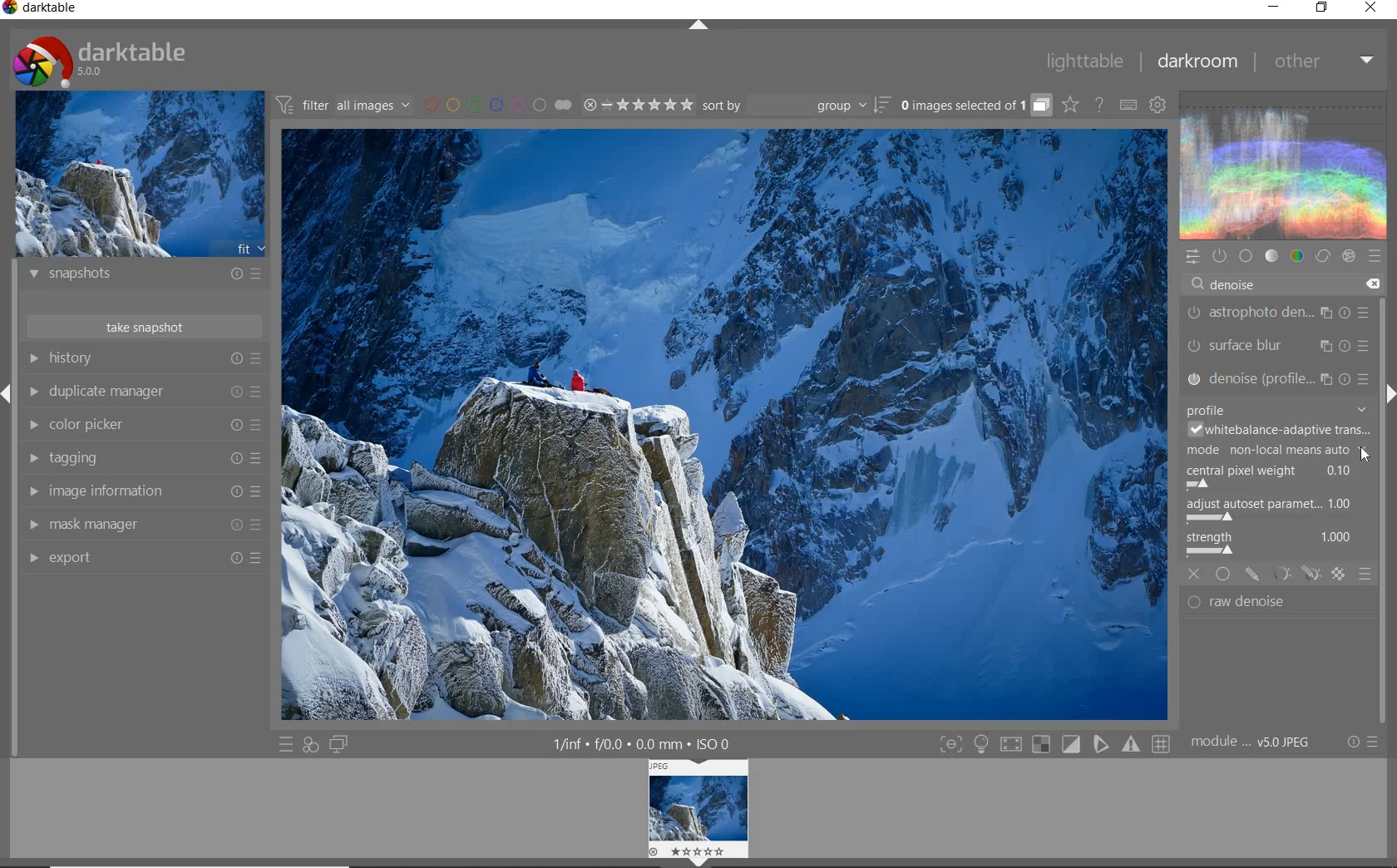  I want to click on sort, so click(796, 106).